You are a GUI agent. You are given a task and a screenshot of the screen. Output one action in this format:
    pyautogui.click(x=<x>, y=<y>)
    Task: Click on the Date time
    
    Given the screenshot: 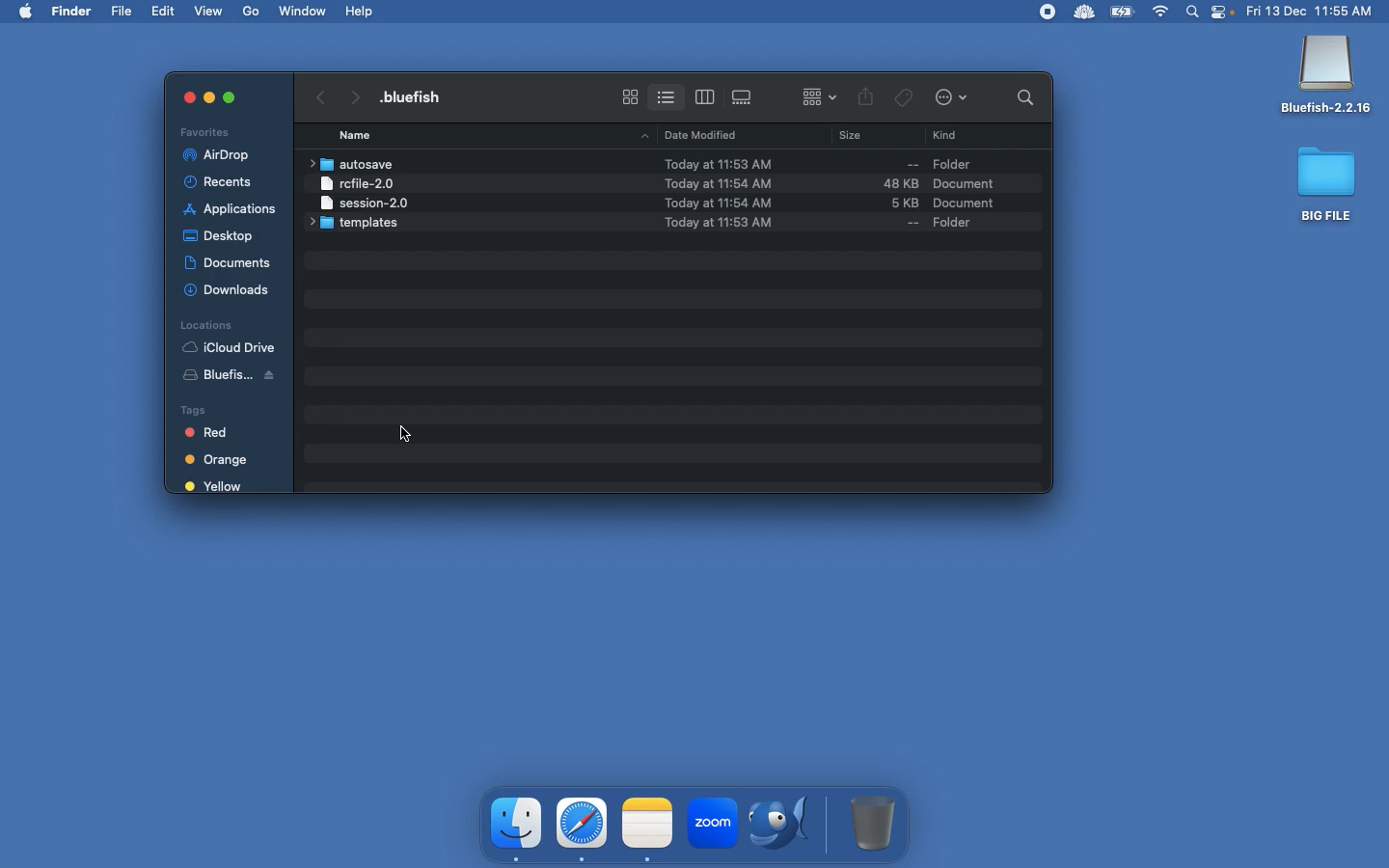 What is the action you would take?
    pyautogui.click(x=1316, y=11)
    